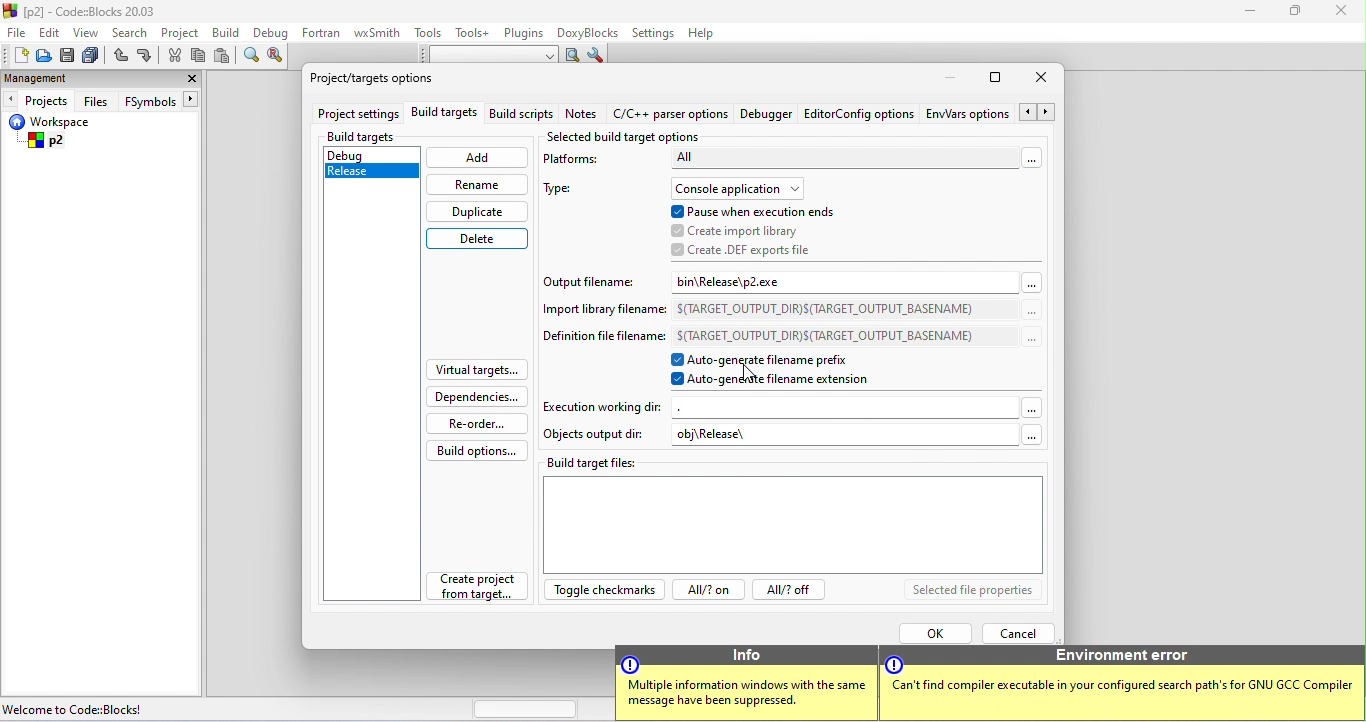 Image resolution: width=1366 pixels, height=722 pixels. Describe the element at coordinates (272, 35) in the screenshot. I see `debug` at that location.